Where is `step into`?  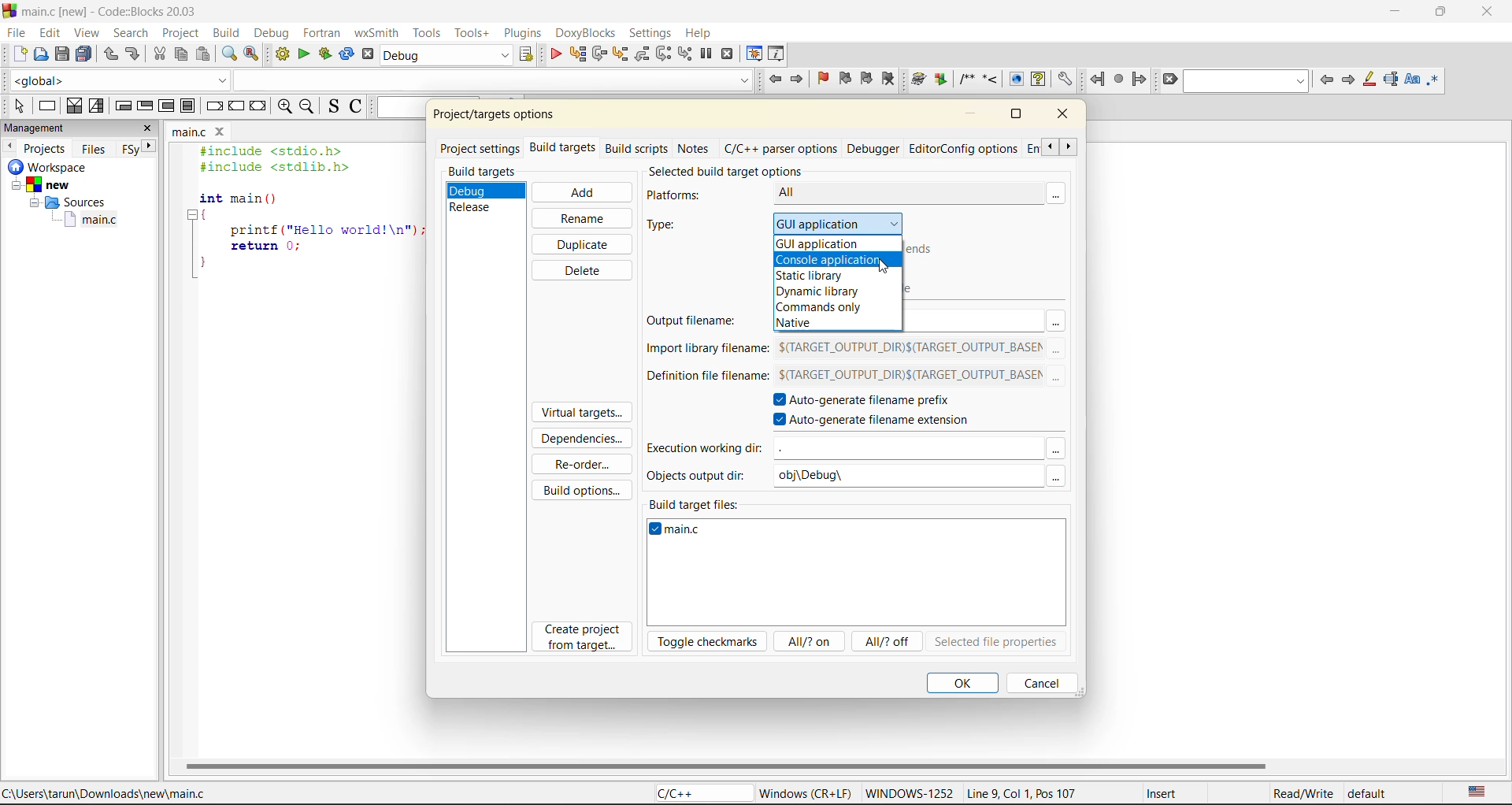
step into is located at coordinates (620, 56).